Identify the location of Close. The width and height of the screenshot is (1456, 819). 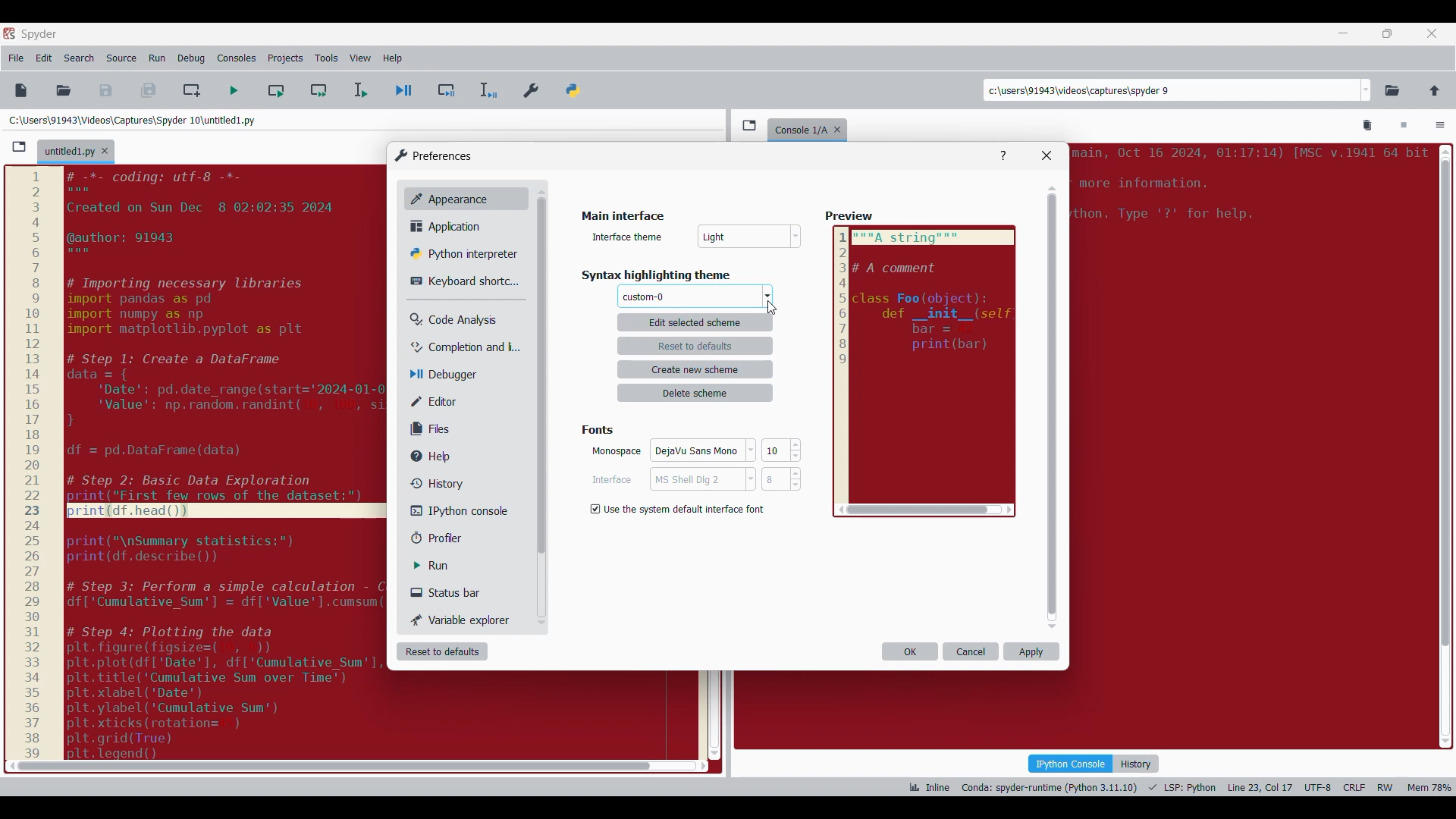
(1046, 155).